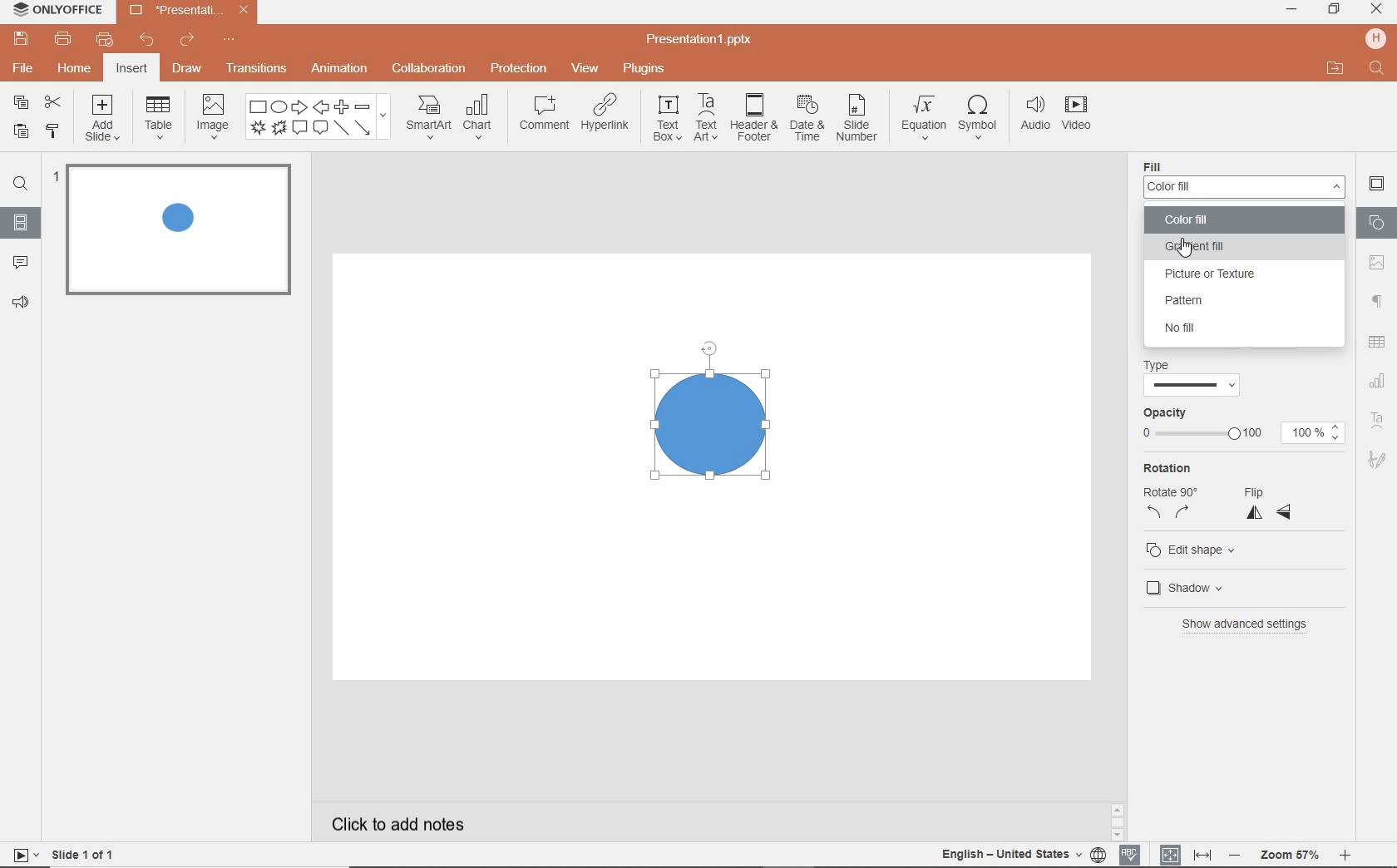 This screenshot has height=868, width=1397. What do you see at coordinates (187, 11) in the screenshot?
I see `file name` at bounding box center [187, 11].